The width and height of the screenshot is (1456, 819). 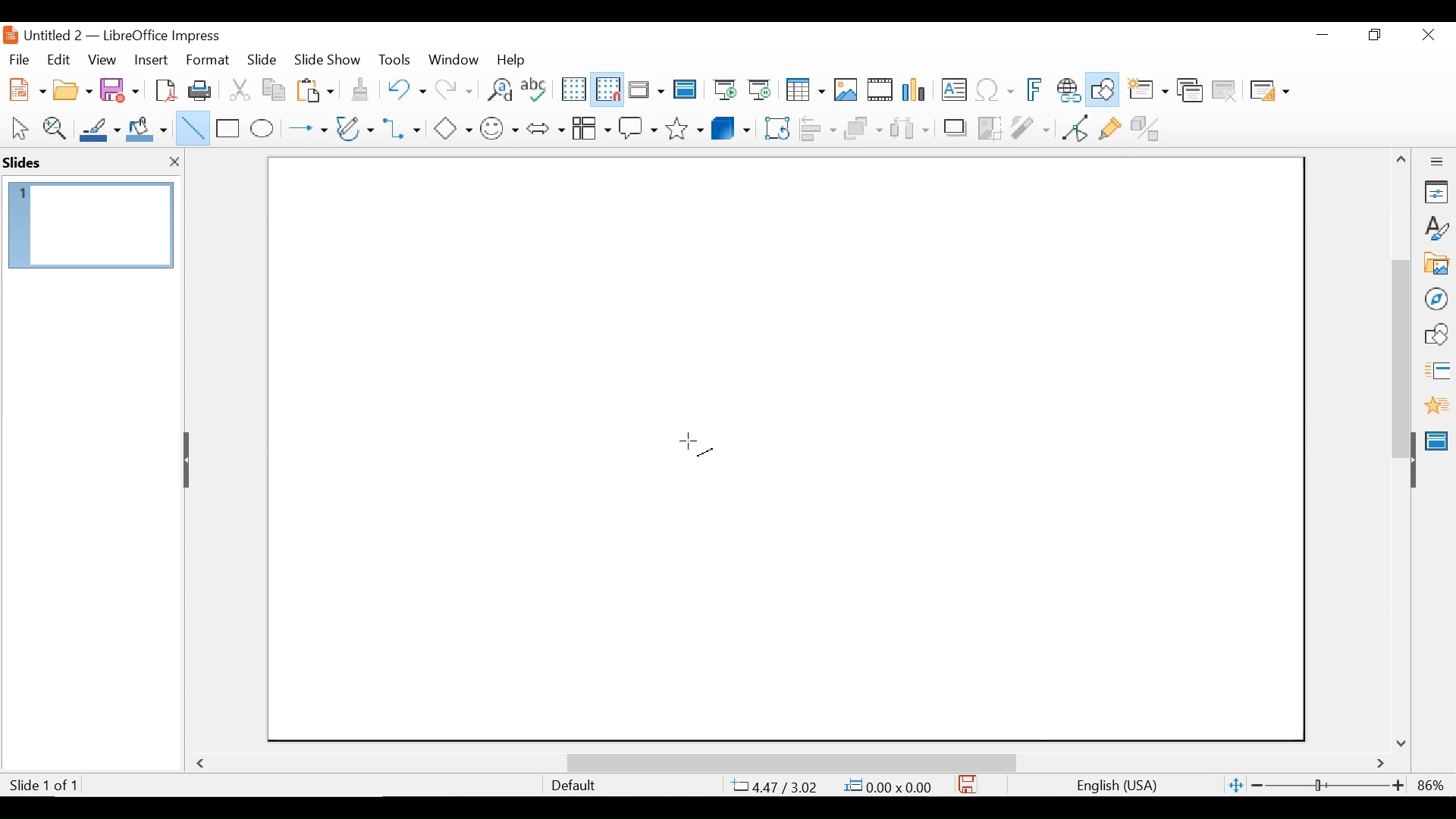 I want to click on Export as PDF, so click(x=165, y=89).